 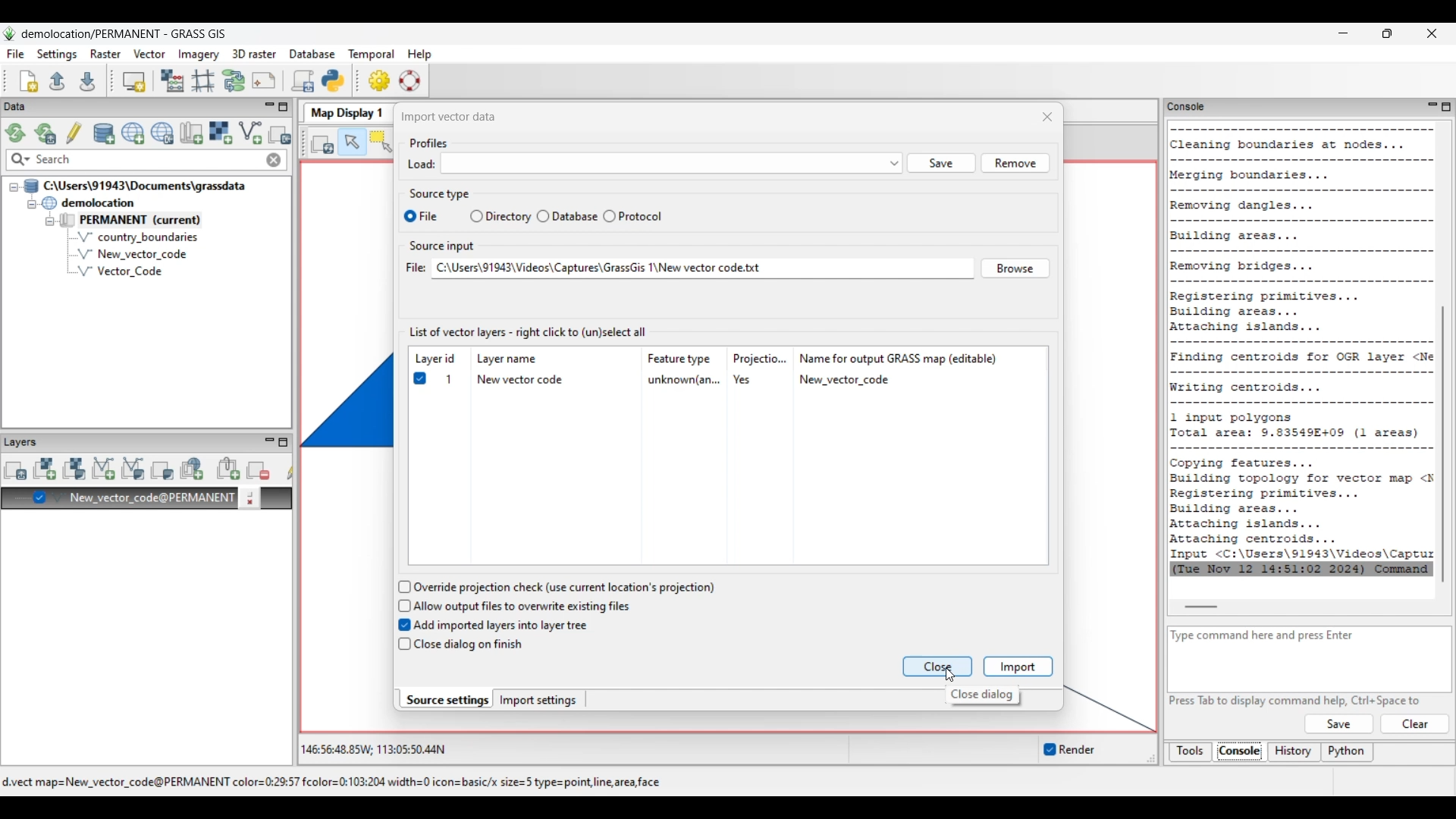 I want to click on select, so click(x=543, y=215).